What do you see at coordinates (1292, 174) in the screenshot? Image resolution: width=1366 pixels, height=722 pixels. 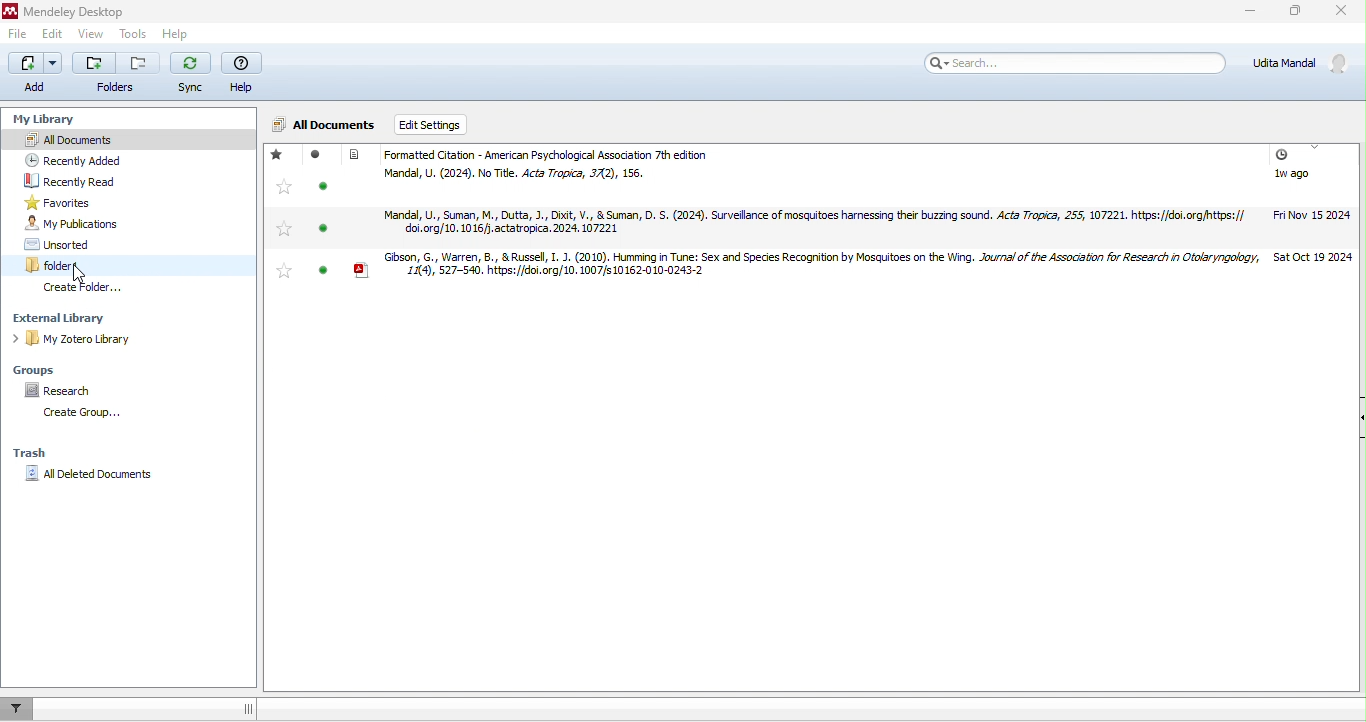 I see `1w ago` at bounding box center [1292, 174].